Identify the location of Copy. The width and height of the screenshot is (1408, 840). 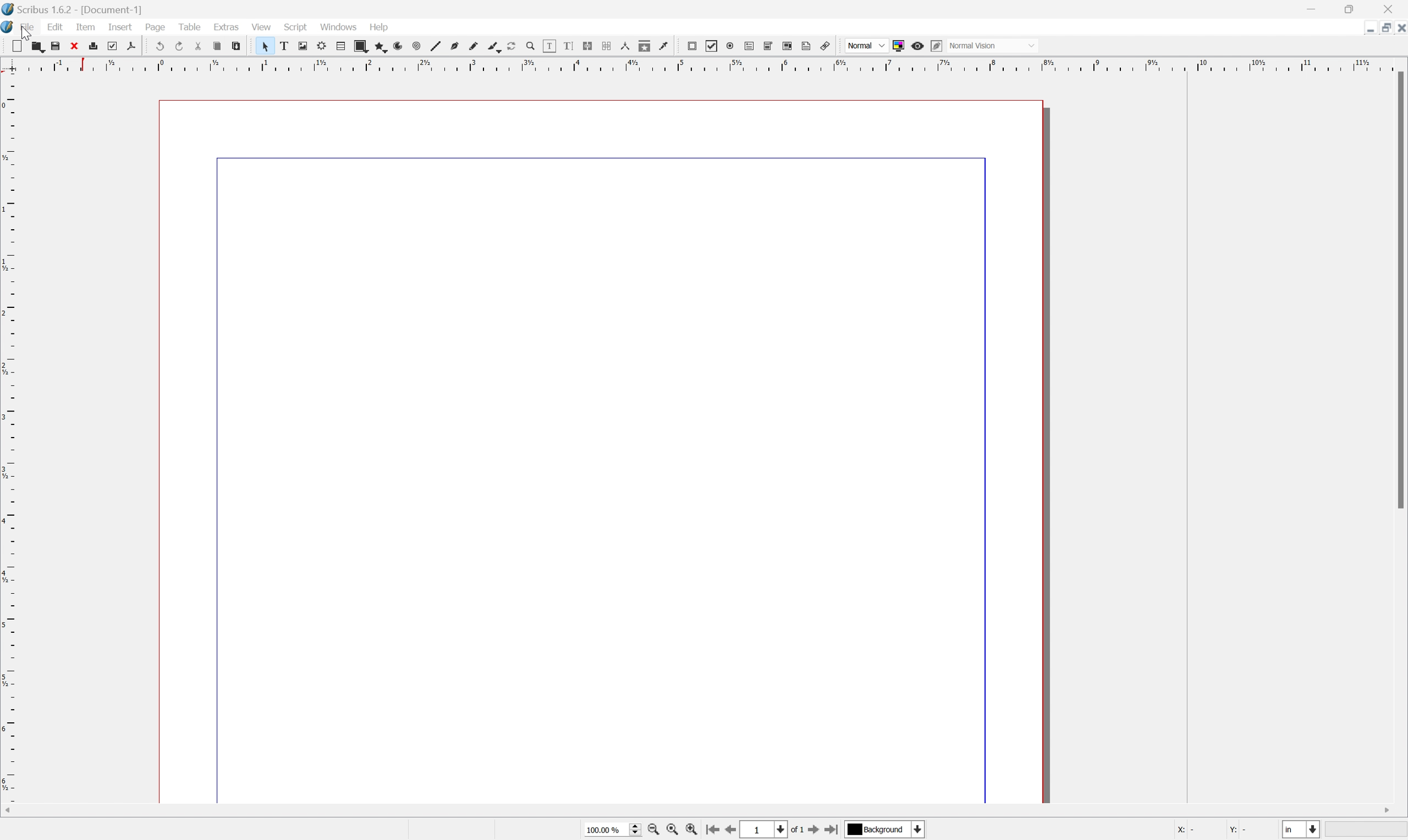
(220, 47).